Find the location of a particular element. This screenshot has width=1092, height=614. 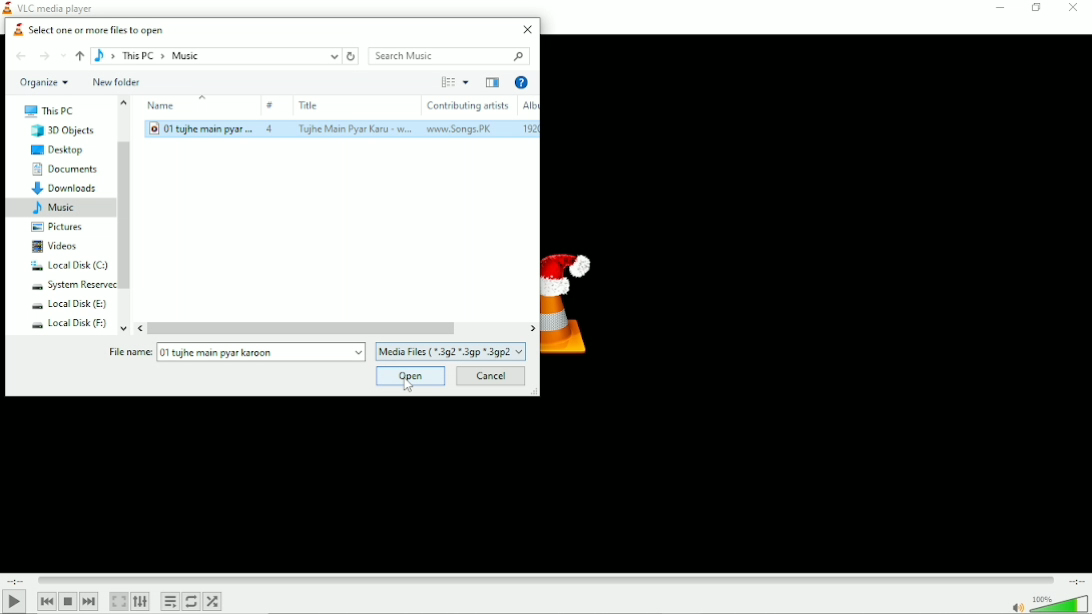

Play is located at coordinates (15, 602).